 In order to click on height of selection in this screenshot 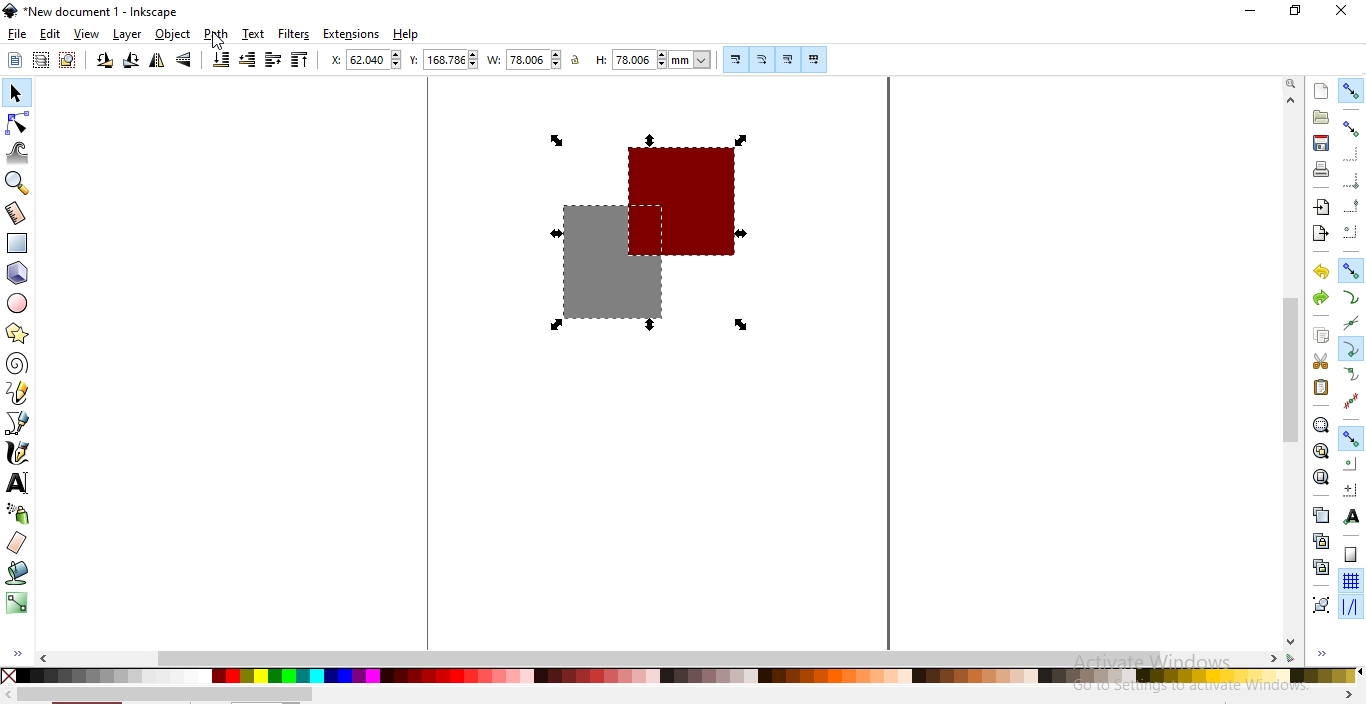, I will do `click(656, 59)`.